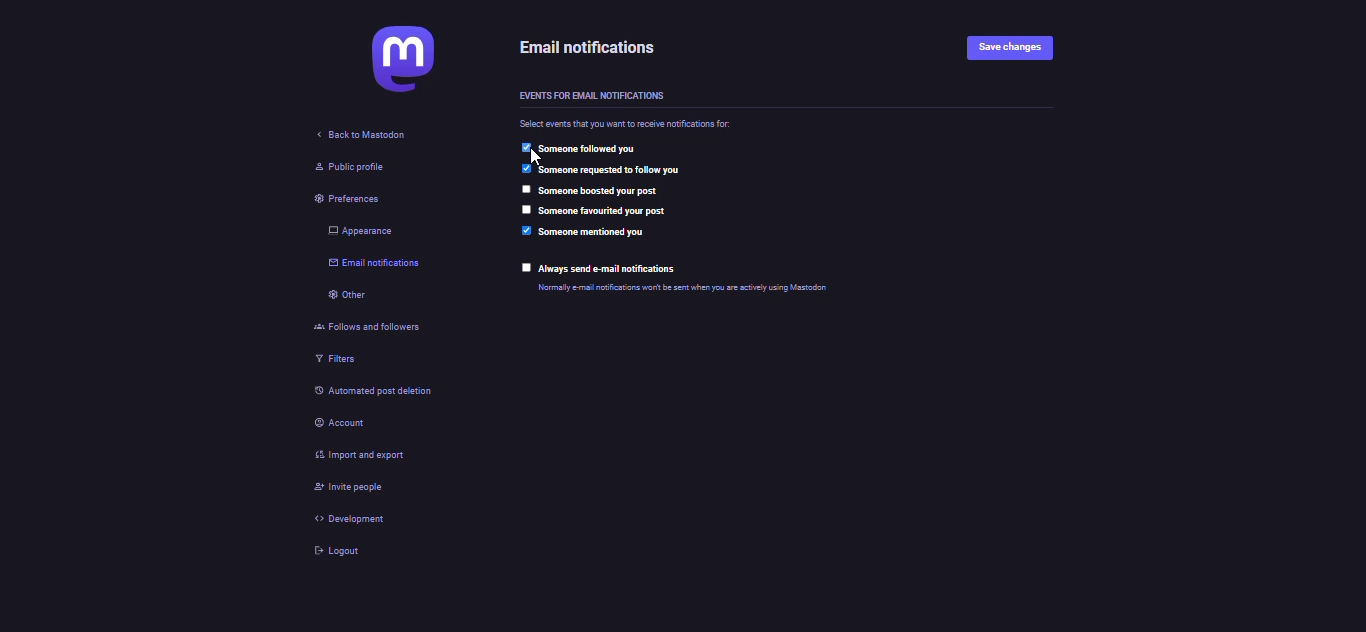 This screenshot has width=1366, height=632. What do you see at coordinates (346, 168) in the screenshot?
I see `public profile` at bounding box center [346, 168].